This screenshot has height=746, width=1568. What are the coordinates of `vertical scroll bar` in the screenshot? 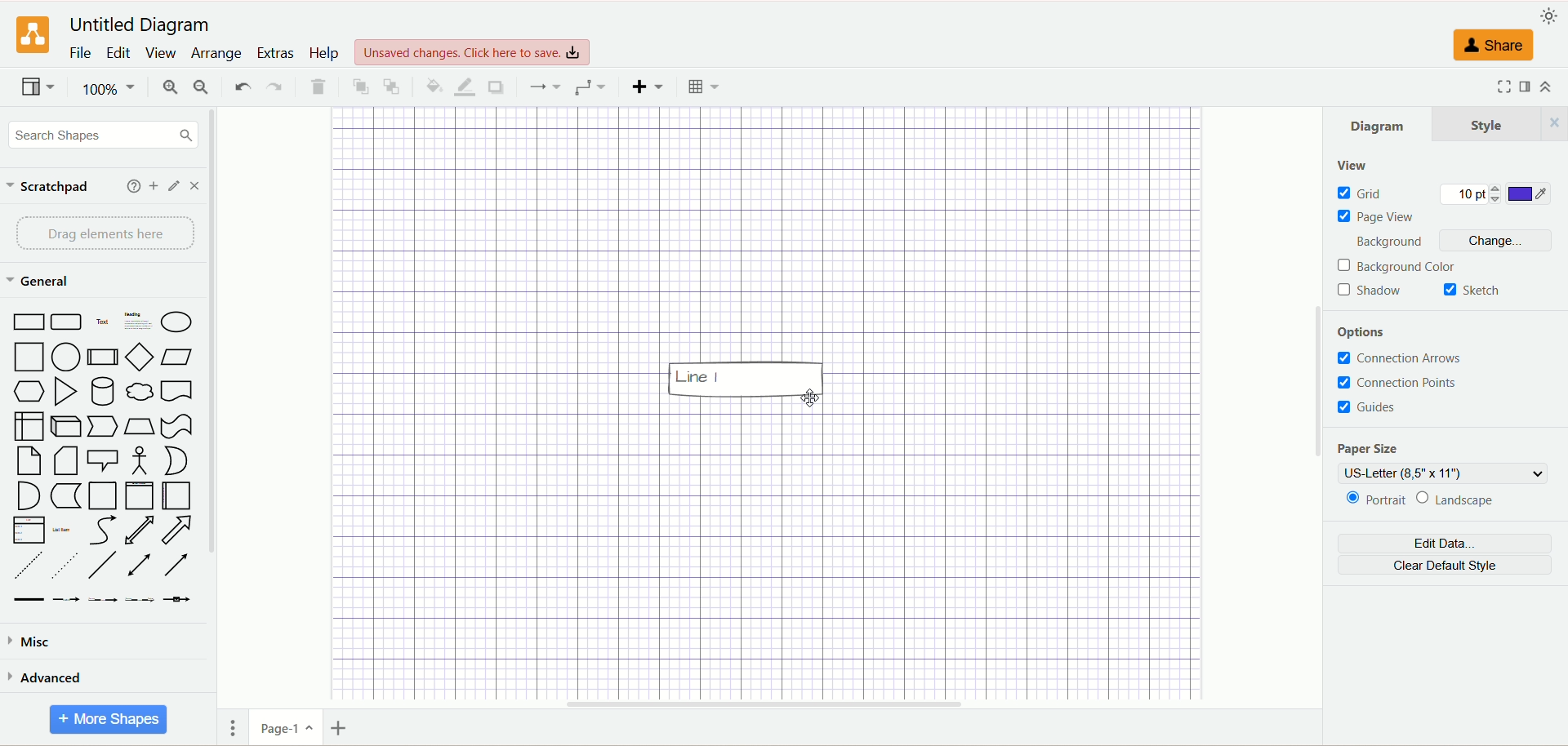 It's located at (214, 407).